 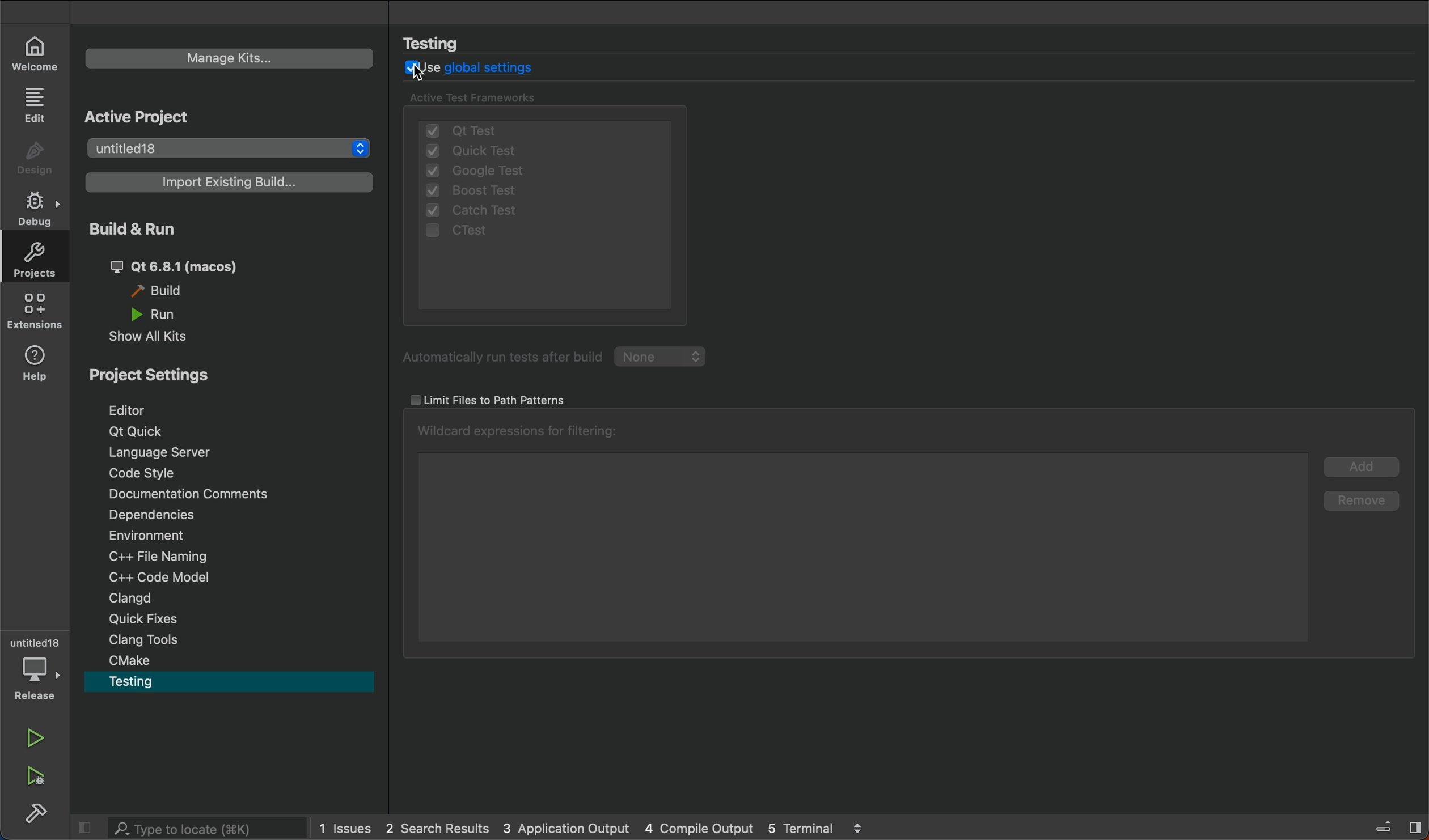 What do you see at coordinates (495, 150) in the screenshot?
I see `quick test` at bounding box center [495, 150].